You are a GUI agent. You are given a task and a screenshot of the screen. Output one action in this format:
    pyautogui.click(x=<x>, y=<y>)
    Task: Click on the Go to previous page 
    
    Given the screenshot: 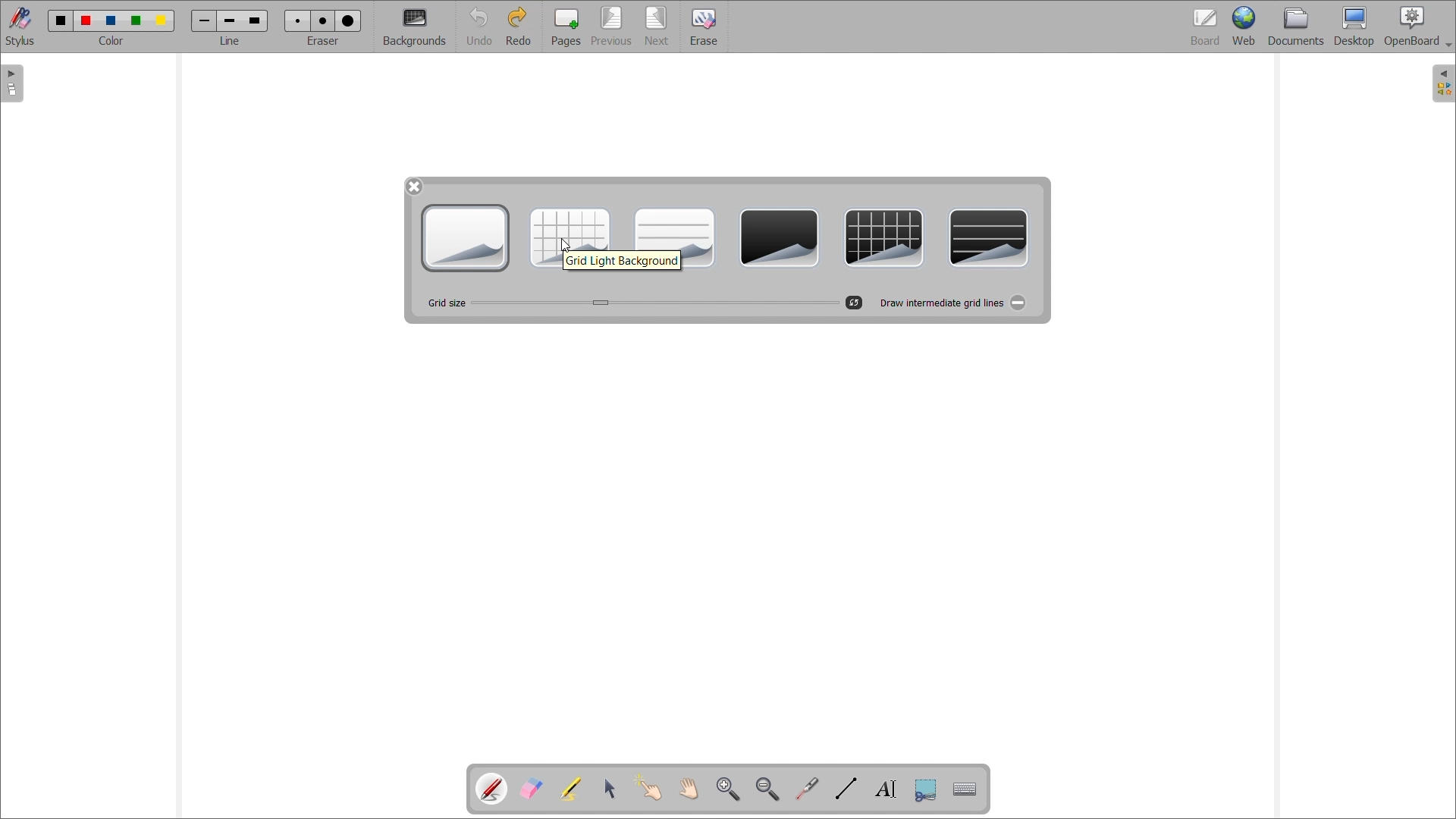 What is the action you would take?
    pyautogui.click(x=611, y=27)
    